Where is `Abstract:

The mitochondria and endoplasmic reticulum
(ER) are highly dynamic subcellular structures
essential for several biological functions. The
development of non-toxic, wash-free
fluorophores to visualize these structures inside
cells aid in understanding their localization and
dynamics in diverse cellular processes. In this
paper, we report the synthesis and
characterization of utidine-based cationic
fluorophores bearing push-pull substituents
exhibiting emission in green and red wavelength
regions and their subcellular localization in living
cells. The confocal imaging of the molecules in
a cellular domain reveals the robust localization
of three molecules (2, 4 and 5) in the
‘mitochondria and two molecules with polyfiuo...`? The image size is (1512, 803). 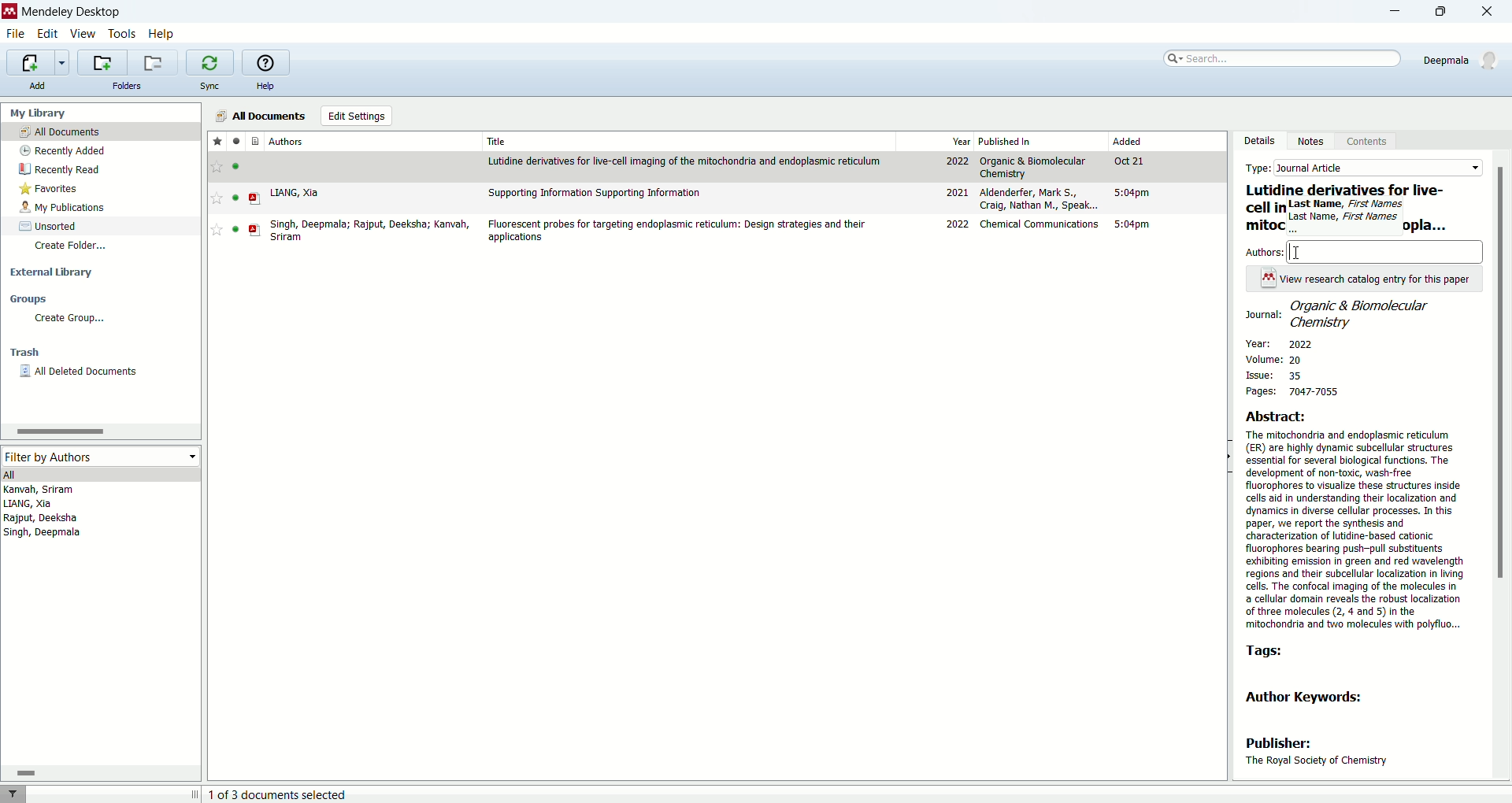
Abstract:

The mitochondria and endoplasmic reticulum
(ER) are highly dynamic subcellular structures
essential for several biological functions. The
development of non-toxic, wash-free
fluorophores to visualize these structures inside
cells aid in understanding their localization and
dynamics in diverse cellular processes. In this
paper, we report the synthesis and
characterization of utidine-based cationic
fluorophores bearing push-pull substituents
exhibiting emission in green and red wavelength
regions and their subcellular localization in living
cells. The confocal imaging of the molecules in
a cellular domain reveals the robust localization
of three molecules (2, 4 and 5) in the
‘mitochondria and two molecules with polyfiuo... is located at coordinates (1358, 519).